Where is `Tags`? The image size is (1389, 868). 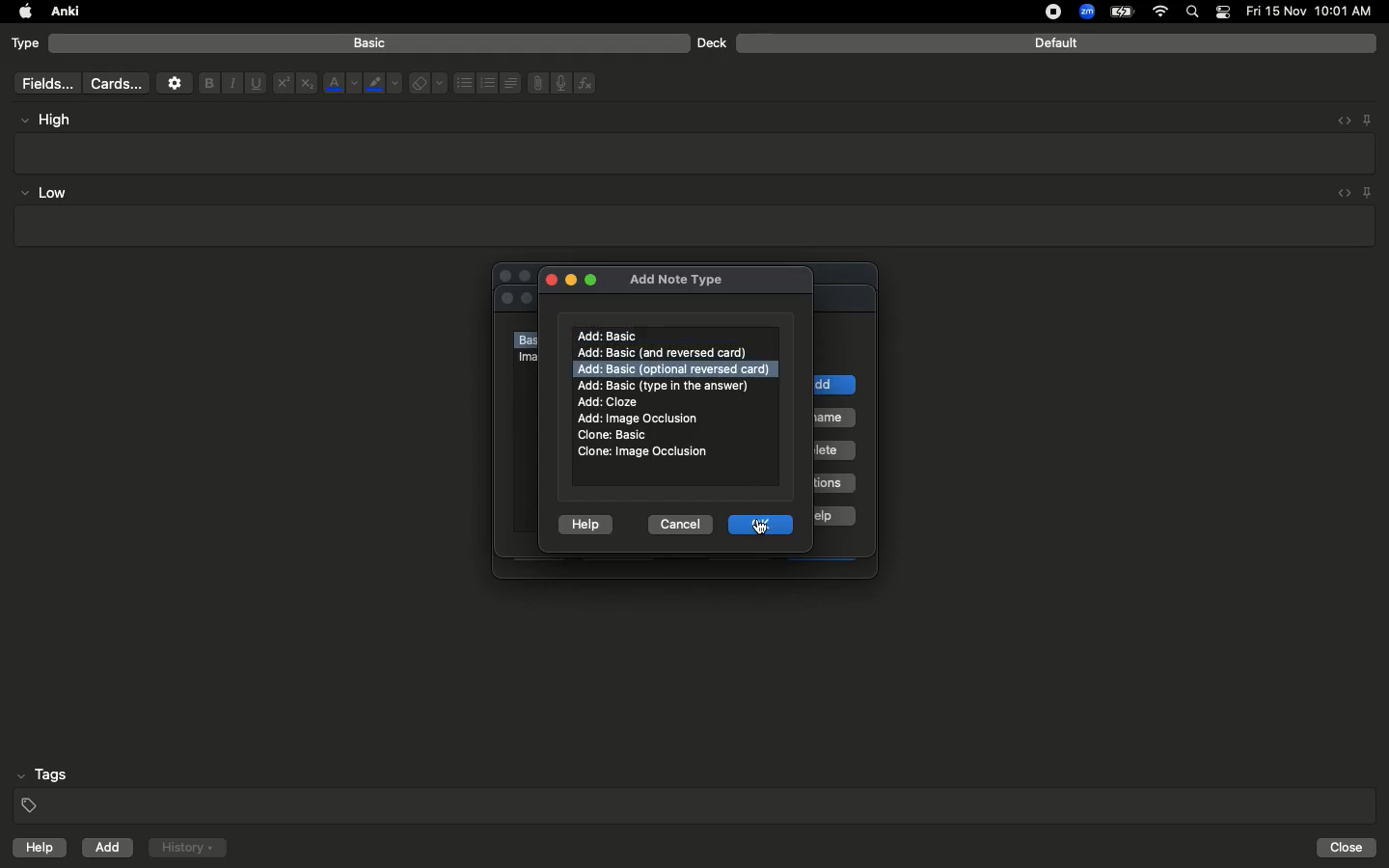
Tags is located at coordinates (696, 791).